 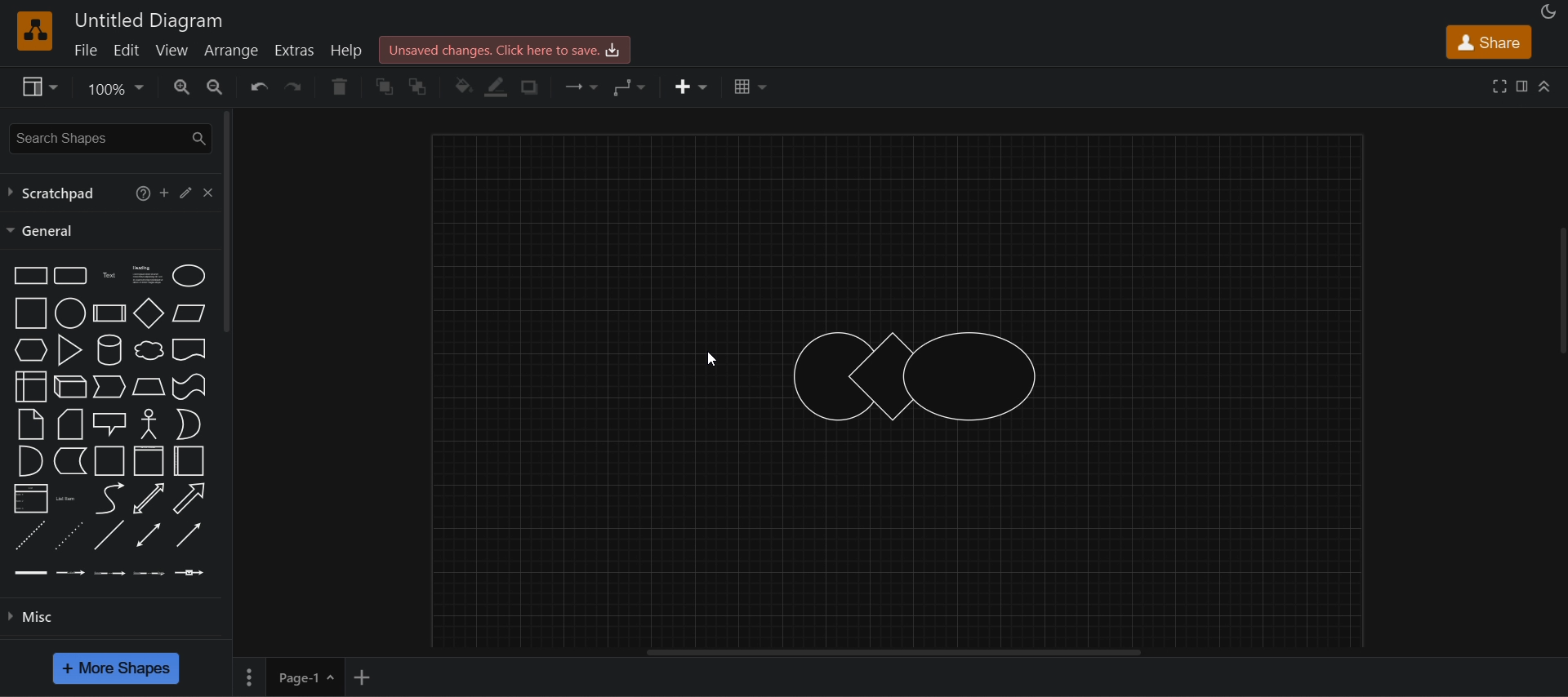 I want to click on extras, so click(x=296, y=51).